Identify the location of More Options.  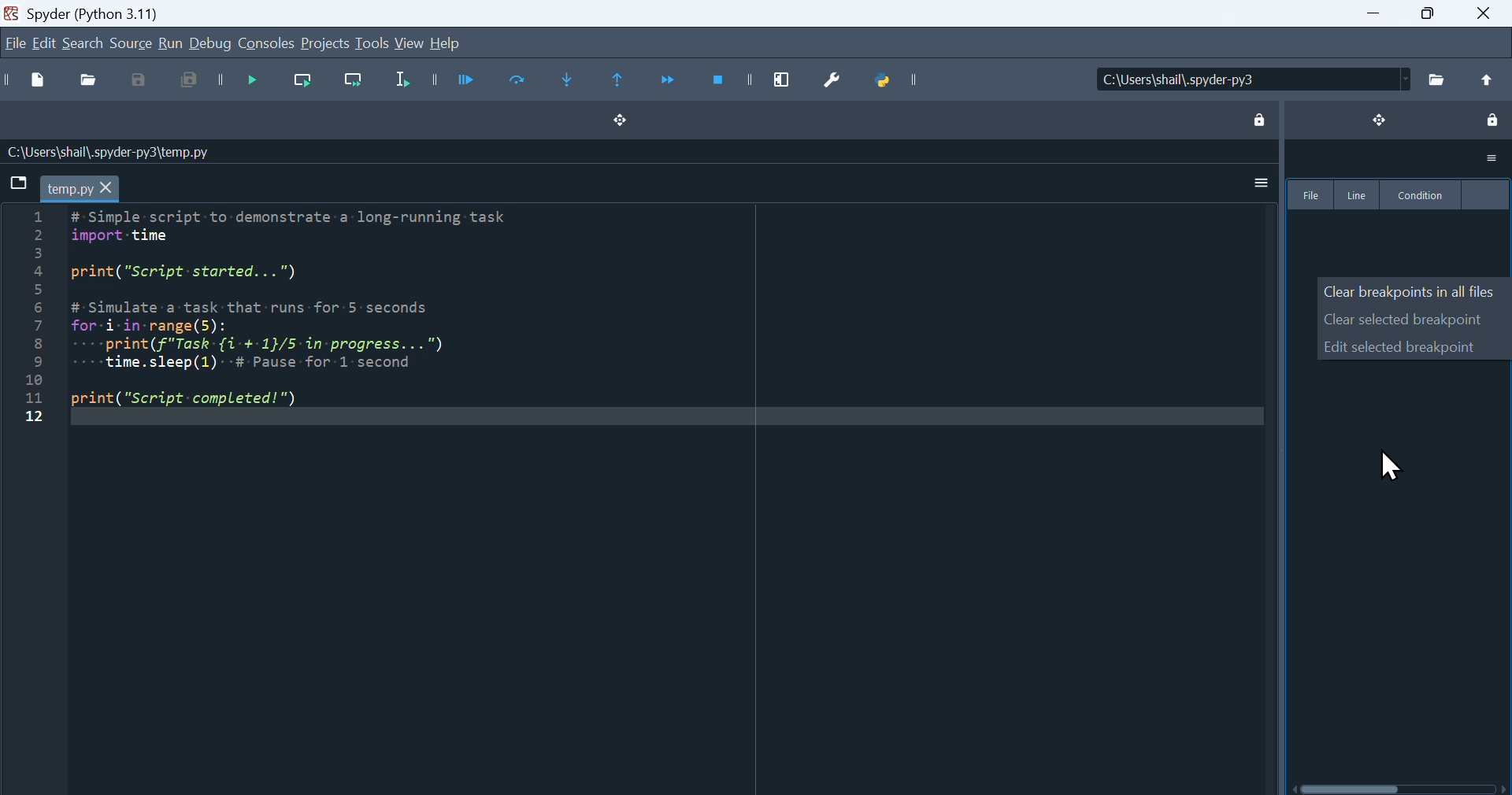
(1258, 182).